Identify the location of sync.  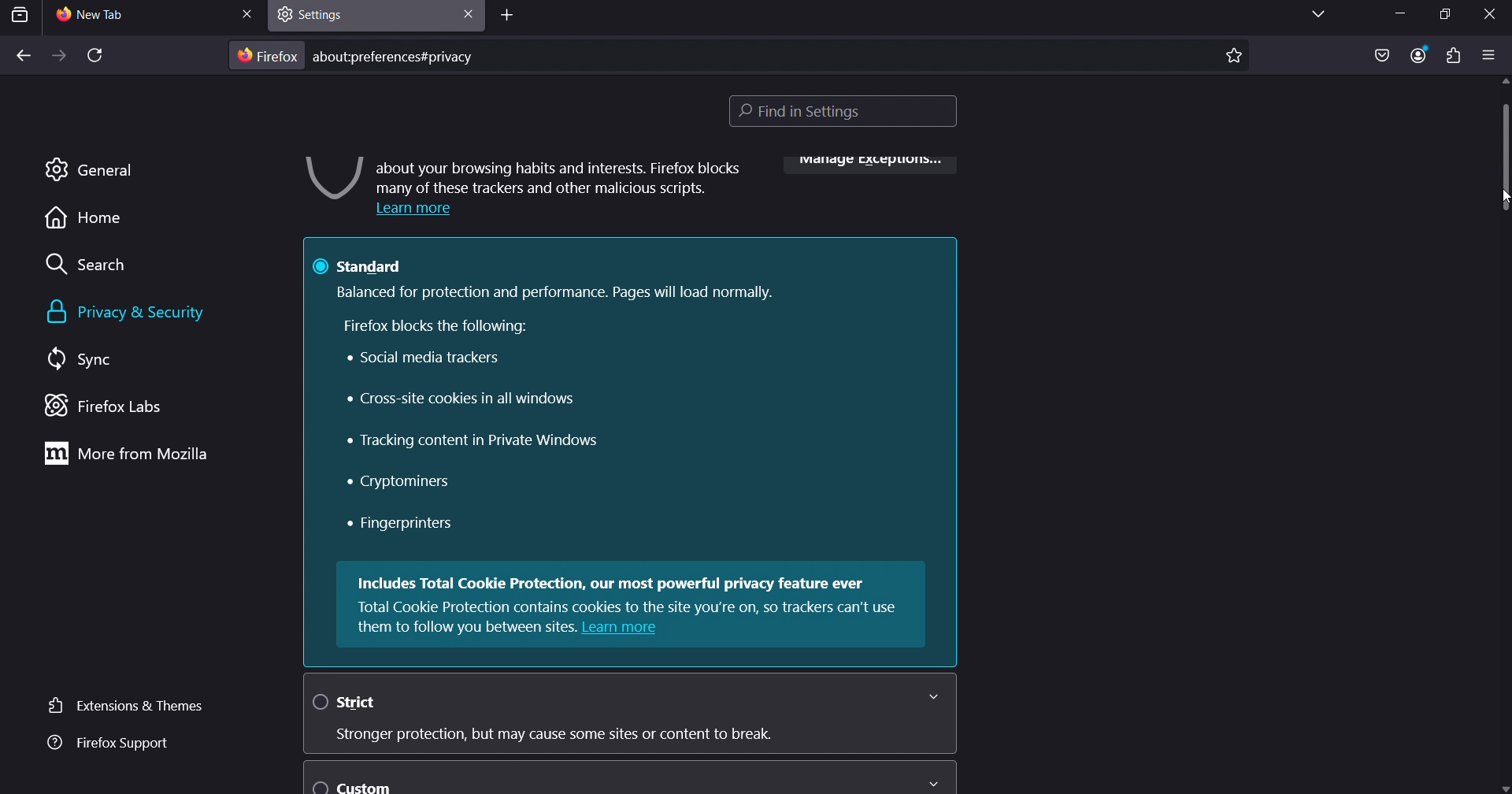
(83, 360).